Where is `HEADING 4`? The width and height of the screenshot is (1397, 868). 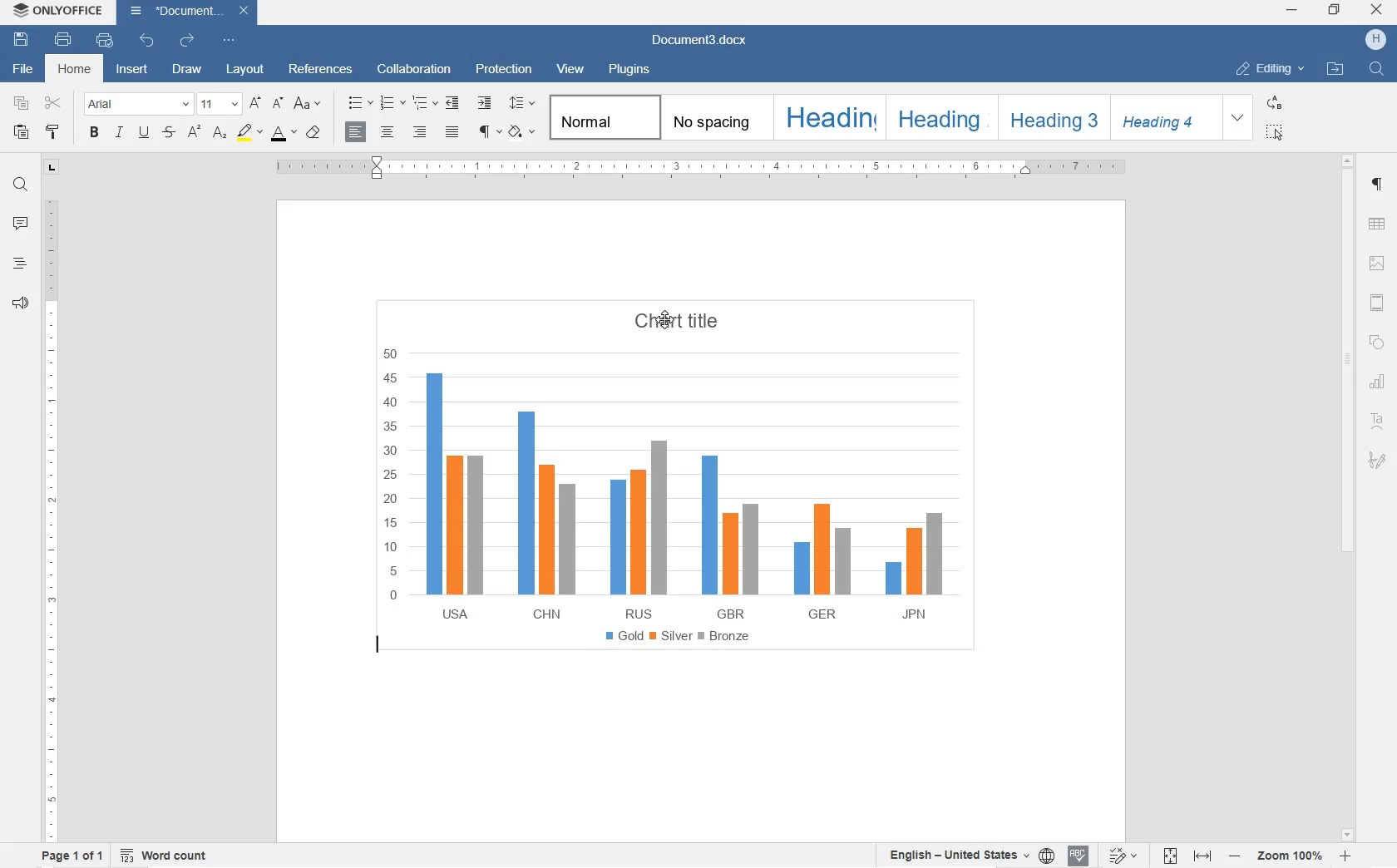 HEADING 4 is located at coordinates (1161, 117).